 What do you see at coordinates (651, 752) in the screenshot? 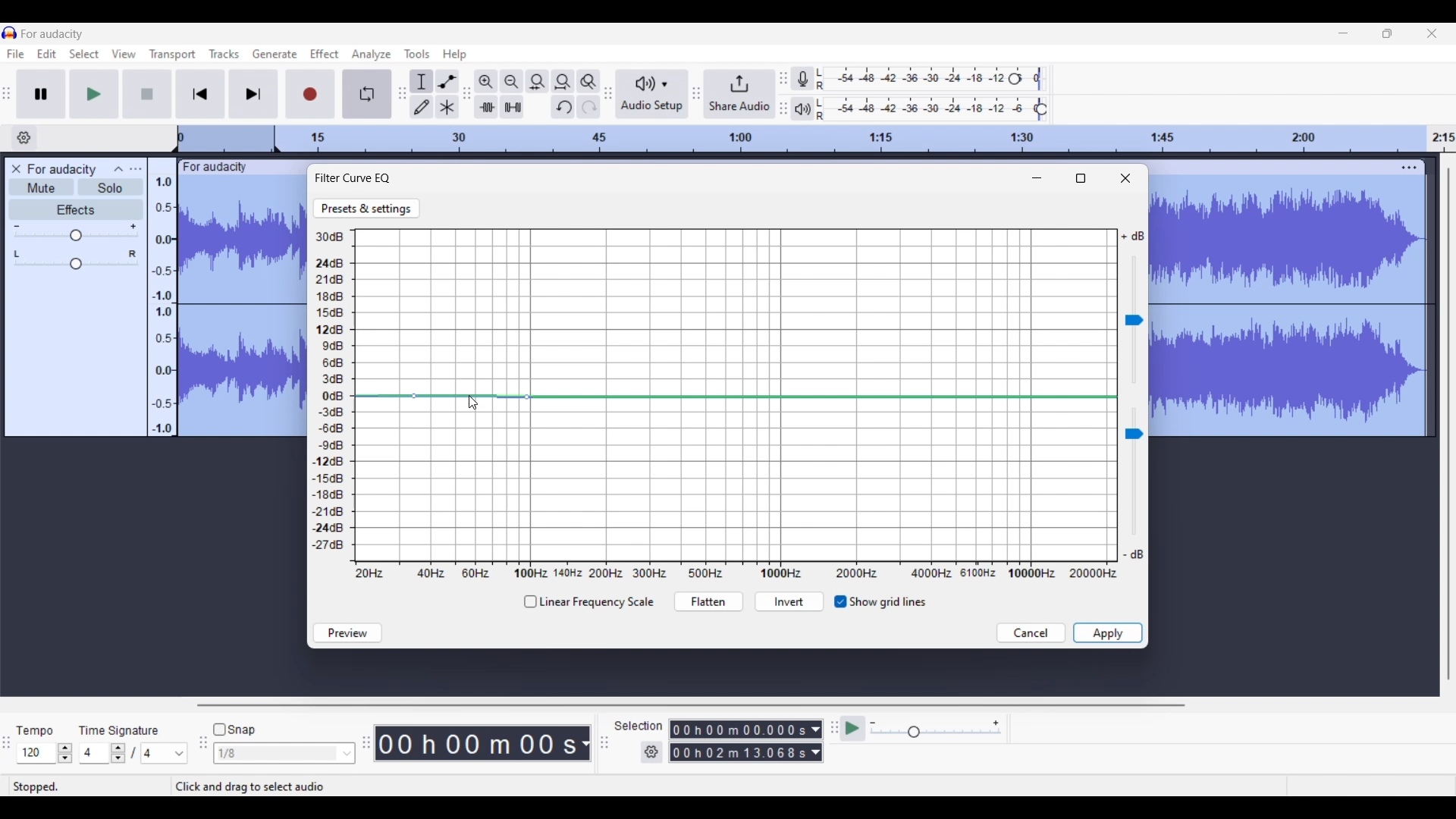
I see `Selection settings` at bounding box center [651, 752].